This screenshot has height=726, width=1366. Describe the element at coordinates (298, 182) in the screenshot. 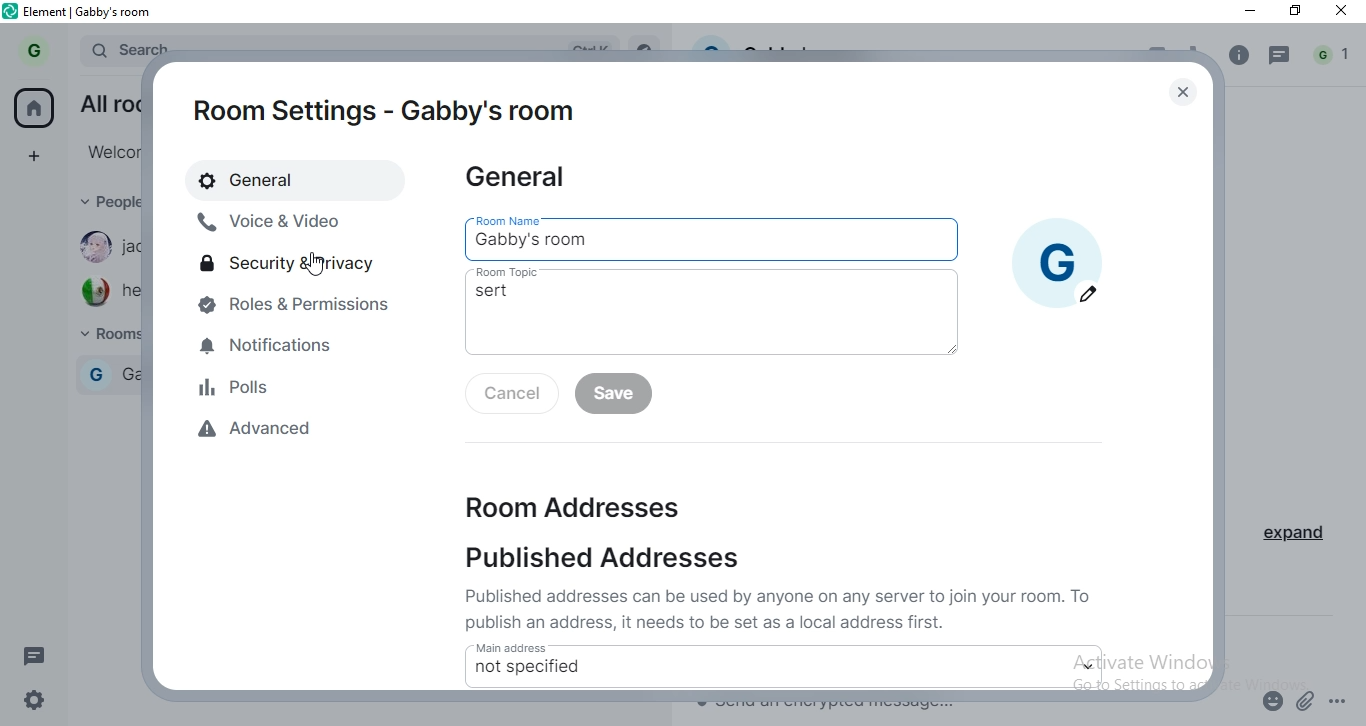

I see `general` at that location.